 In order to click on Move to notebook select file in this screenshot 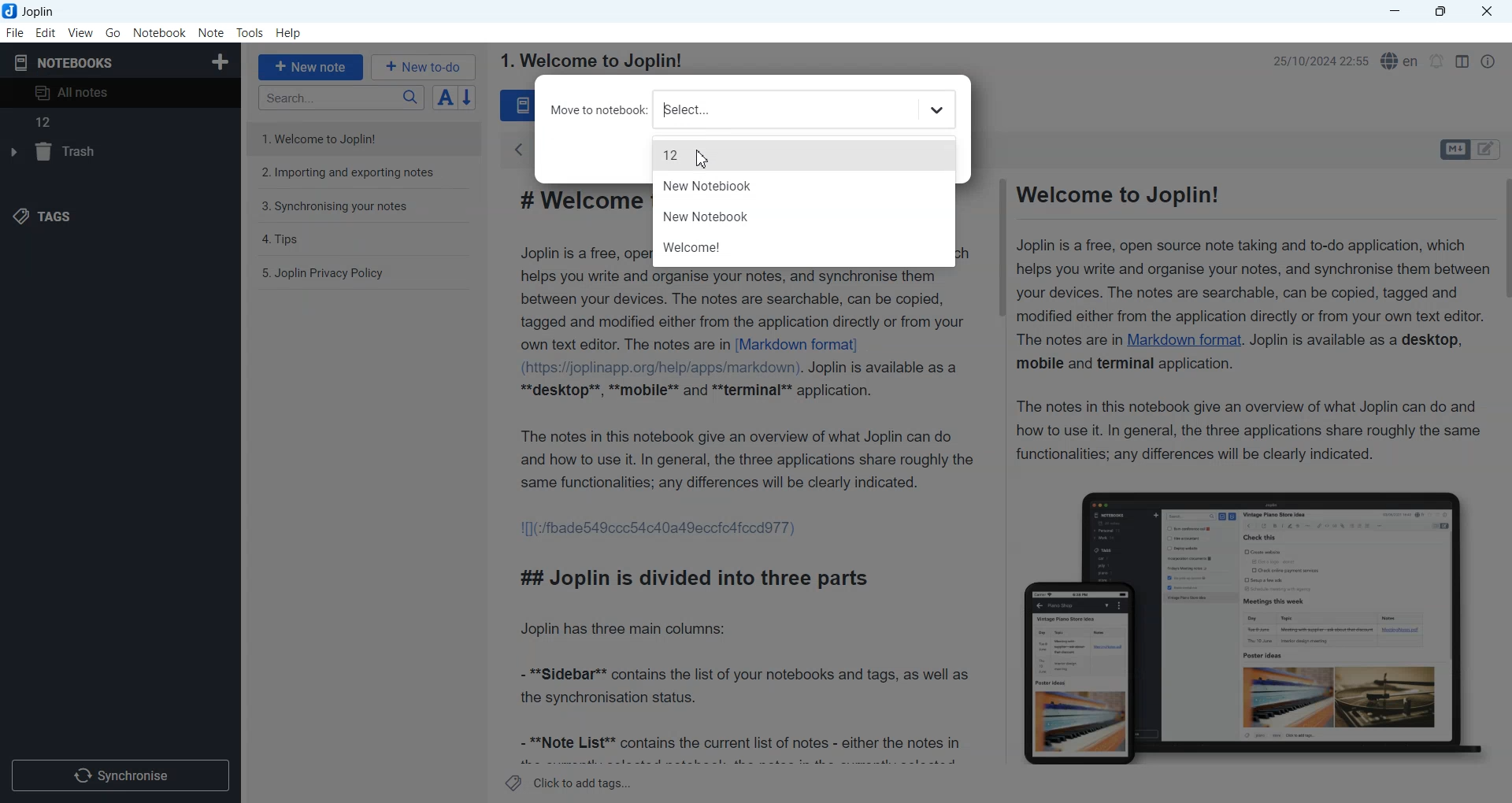, I will do `click(726, 109)`.